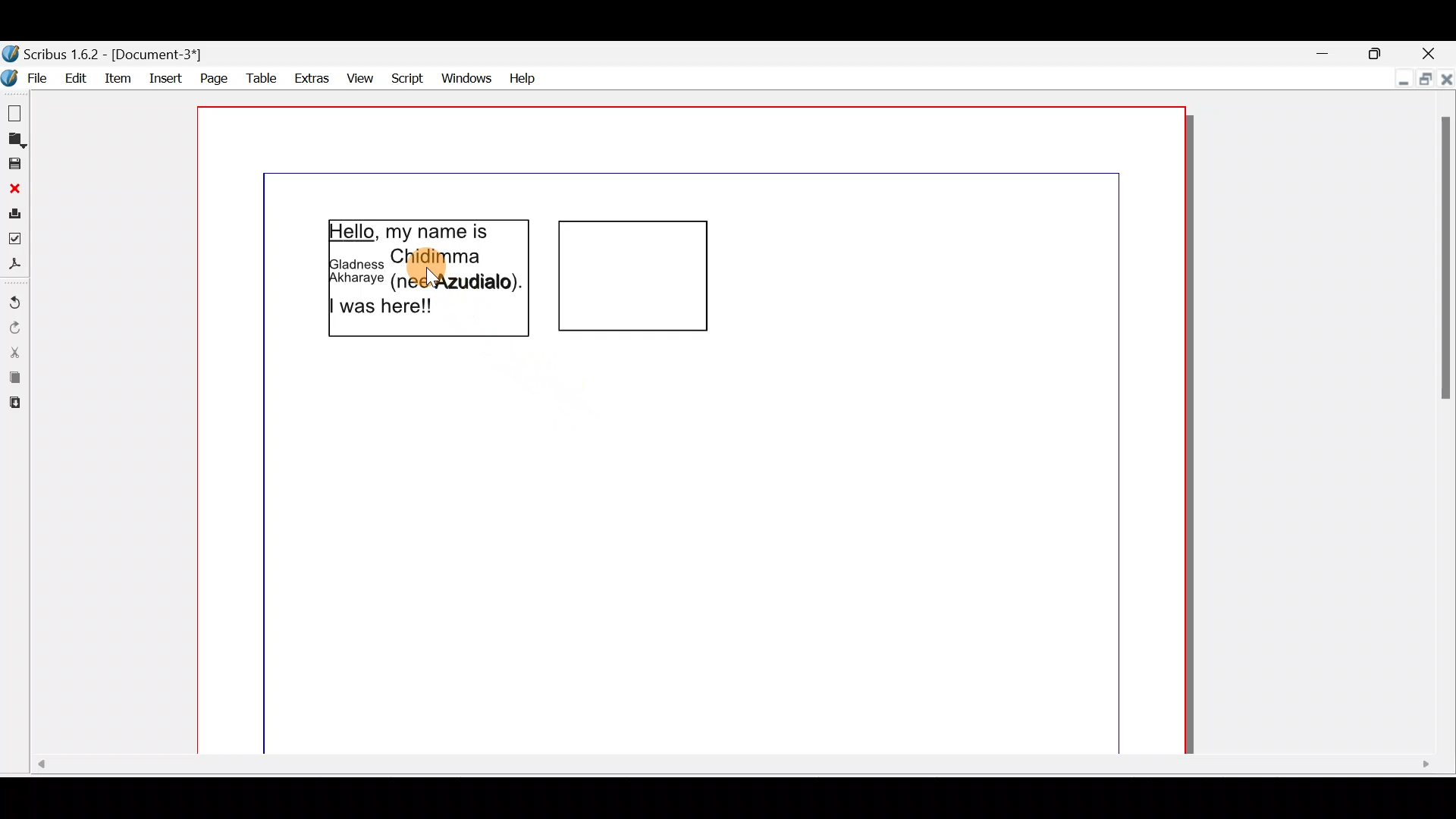 This screenshot has height=819, width=1456. I want to click on Table, so click(256, 78).